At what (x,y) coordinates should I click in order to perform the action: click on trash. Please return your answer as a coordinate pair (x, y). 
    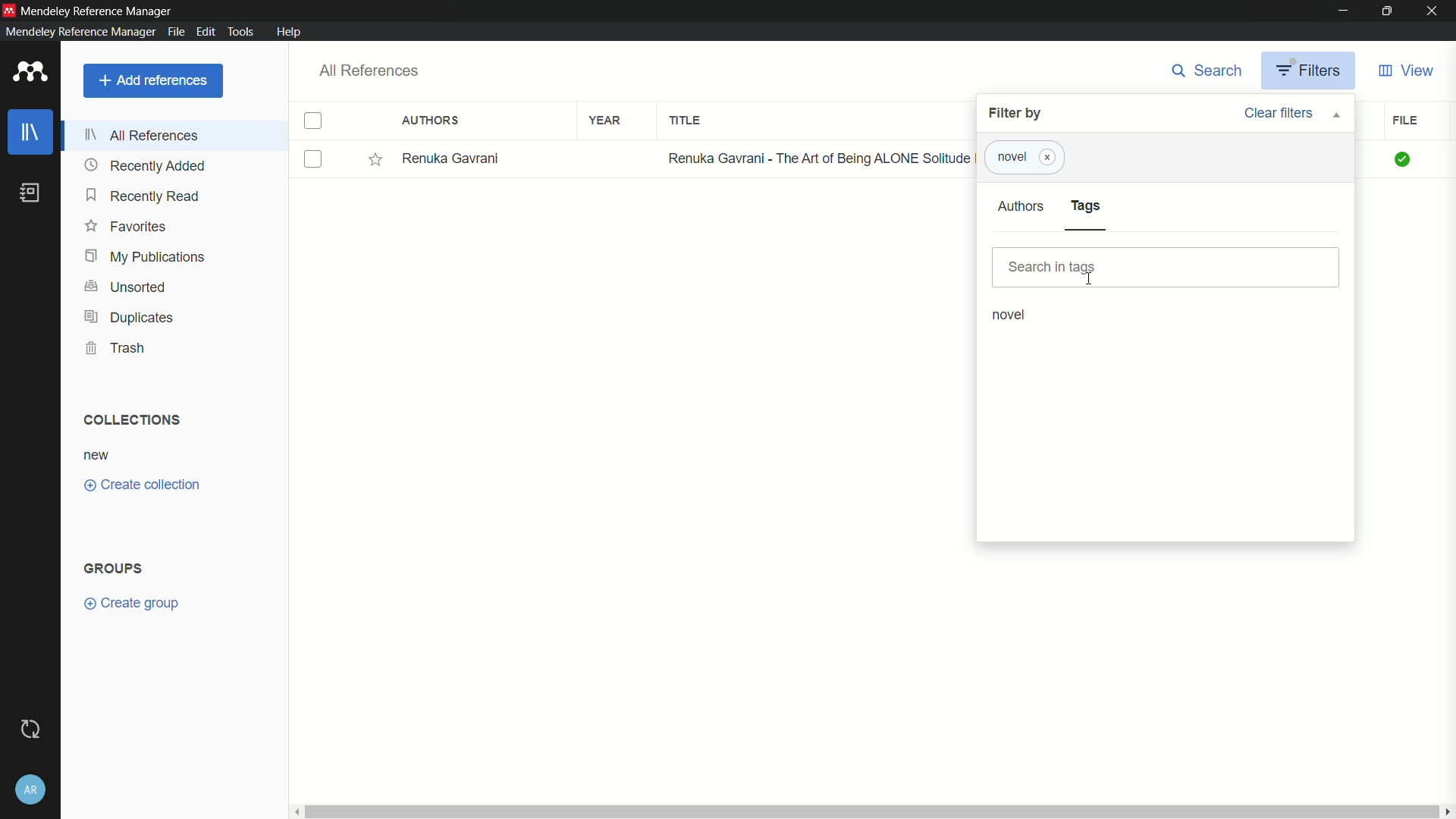
    Looking at the image, I should click on (115, 347).